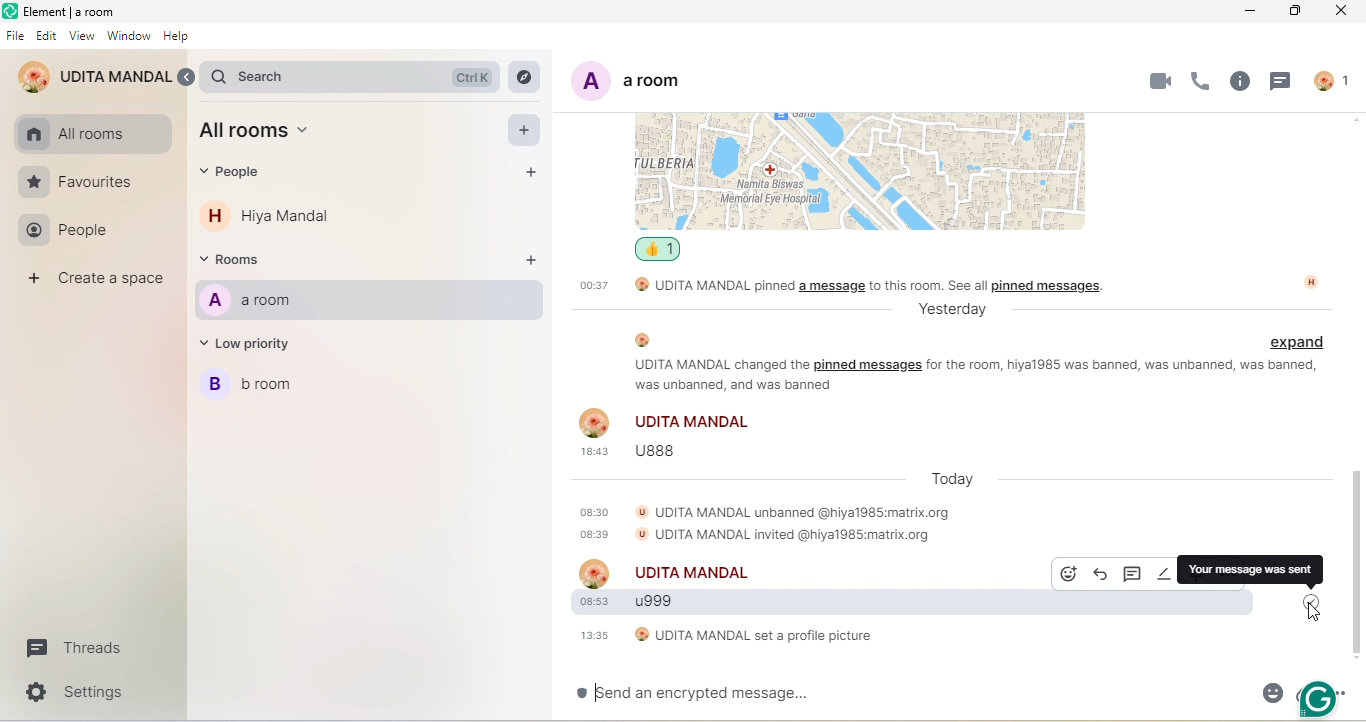  Describe the element at coordinates (73, 693) in the screenshot. I see `Settings` at that location.